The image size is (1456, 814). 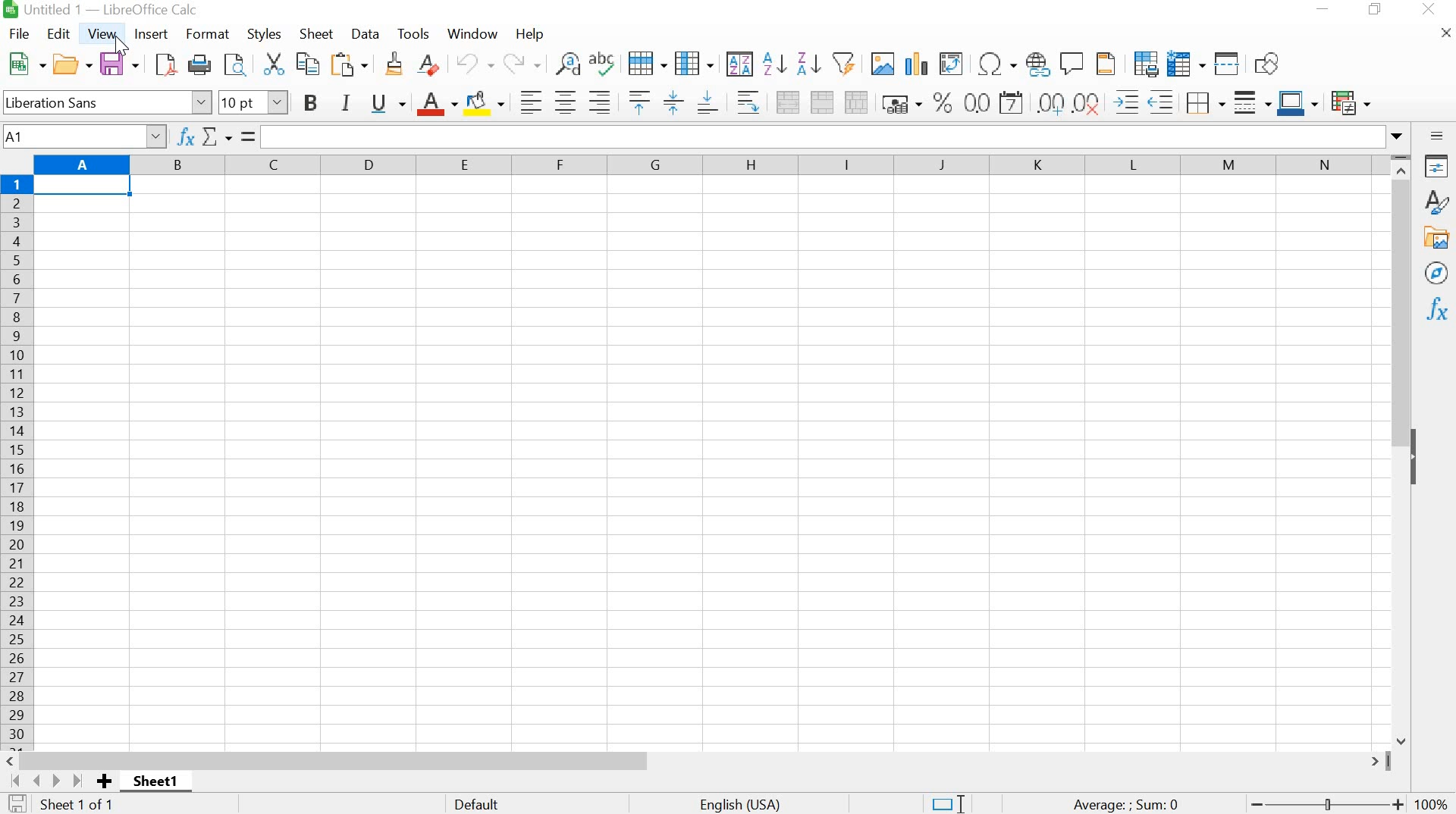 What do you see at coordinates (352, 64) in the screenshot?
I see `PASTE` at bounding box center [352, 64].